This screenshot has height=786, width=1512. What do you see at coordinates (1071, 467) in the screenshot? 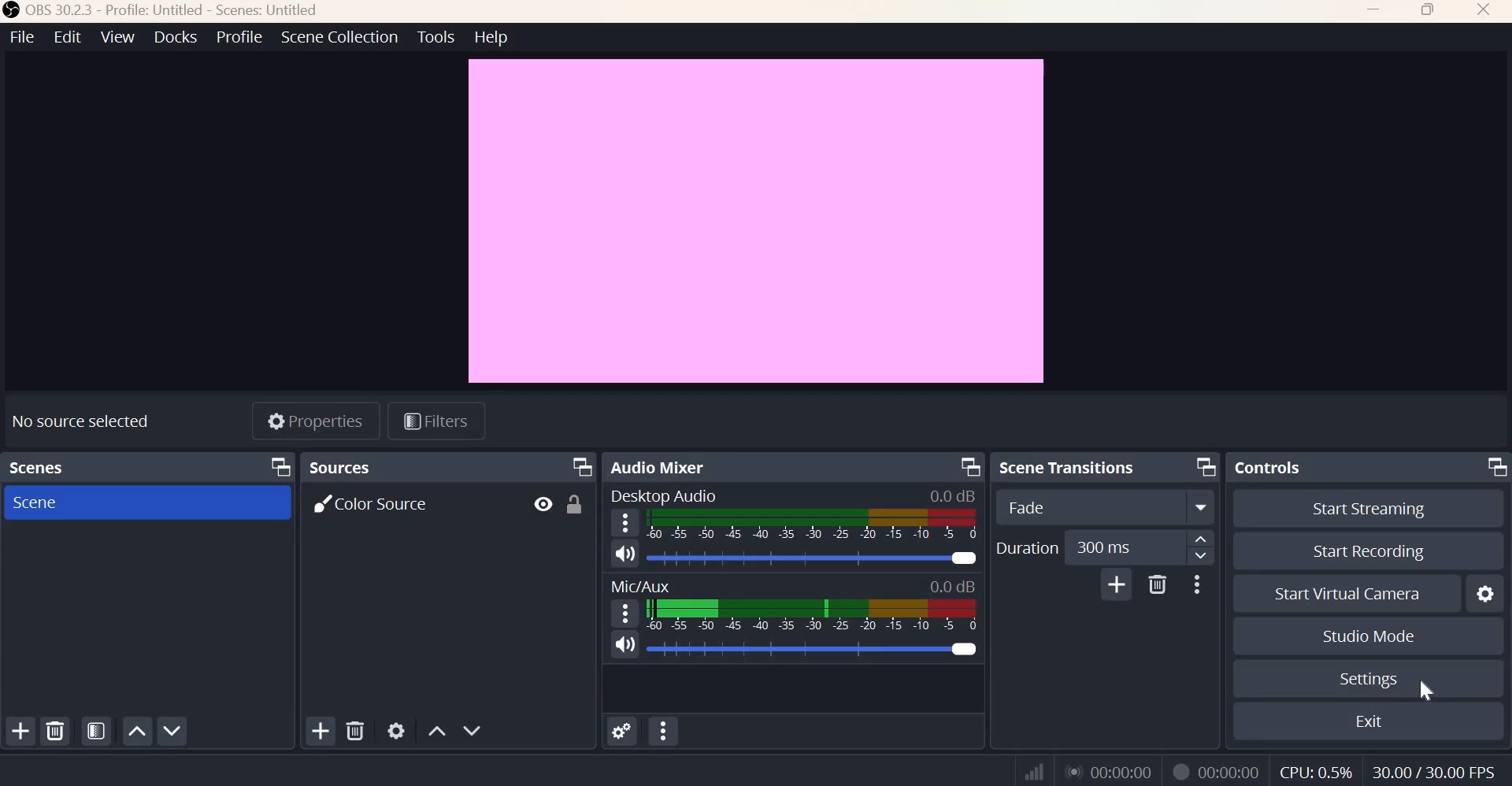
I see `Scene transitions` at bounding box center [1071, 467].